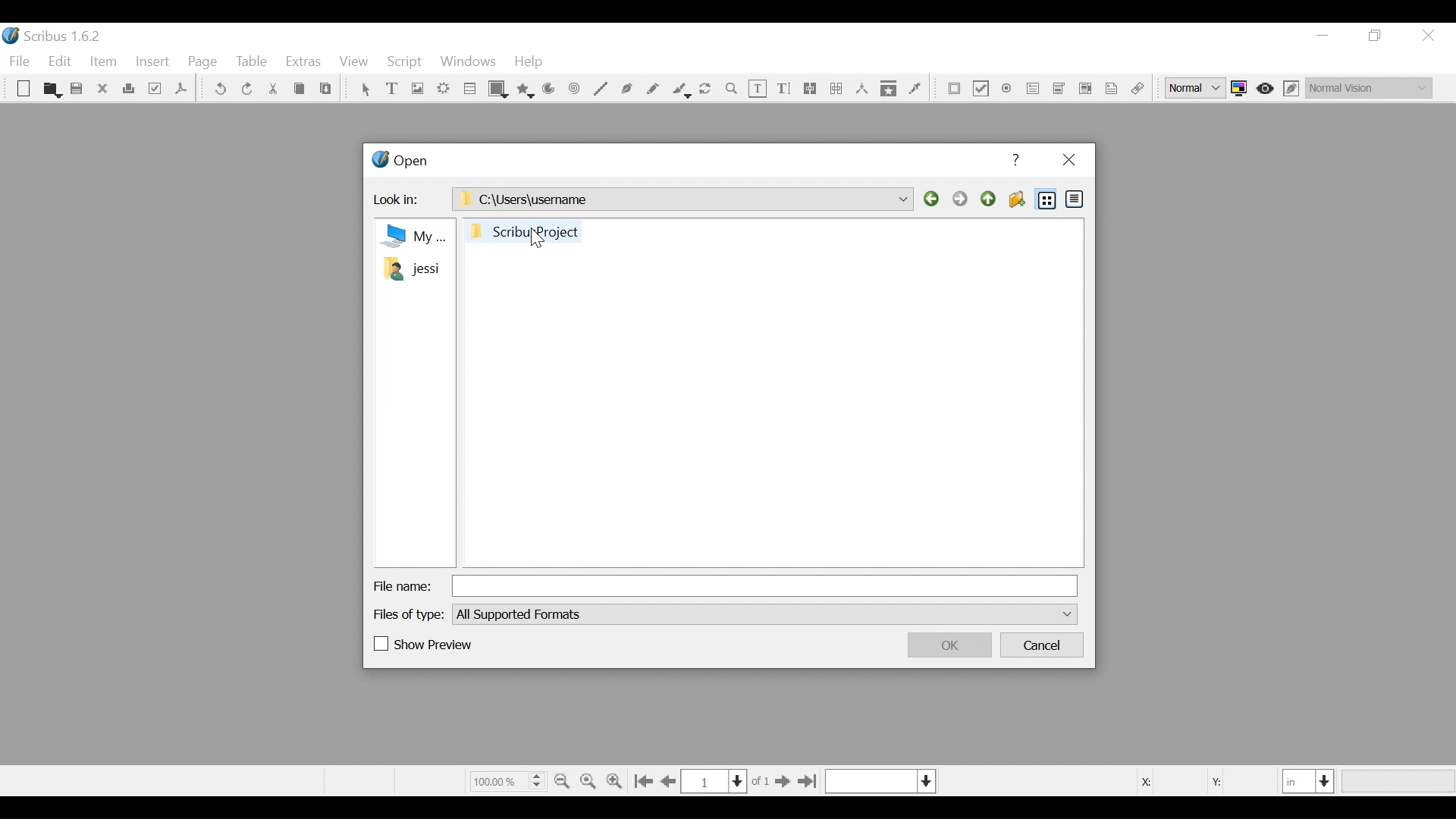  I want to click on Arc, so click(549, 90).